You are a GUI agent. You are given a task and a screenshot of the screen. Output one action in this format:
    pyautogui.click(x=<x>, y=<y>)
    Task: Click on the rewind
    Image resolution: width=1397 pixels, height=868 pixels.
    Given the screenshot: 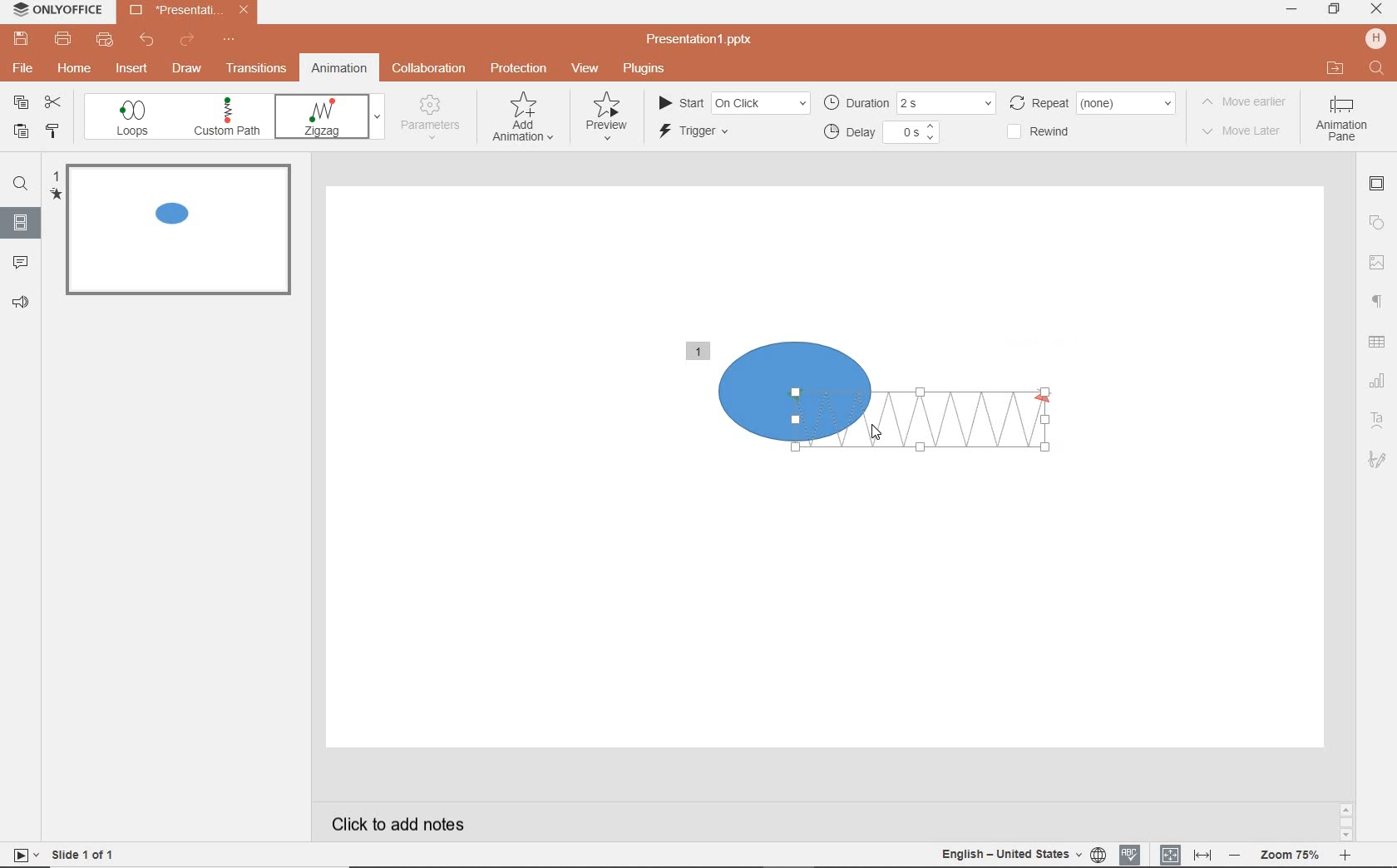 What is the action you would take?
    pyautogui.click(x=1049, y=132)
    